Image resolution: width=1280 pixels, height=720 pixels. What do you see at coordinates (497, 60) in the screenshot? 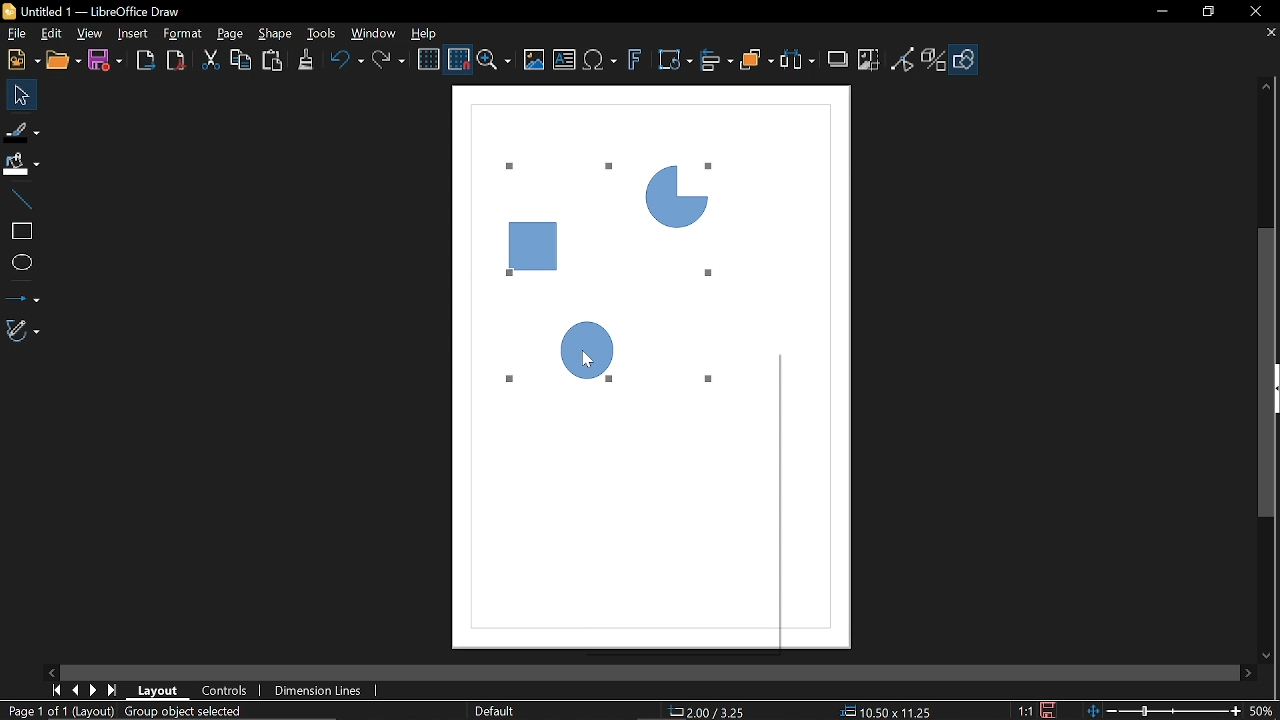
I see `Zoom` at bounding box center [497, 60].